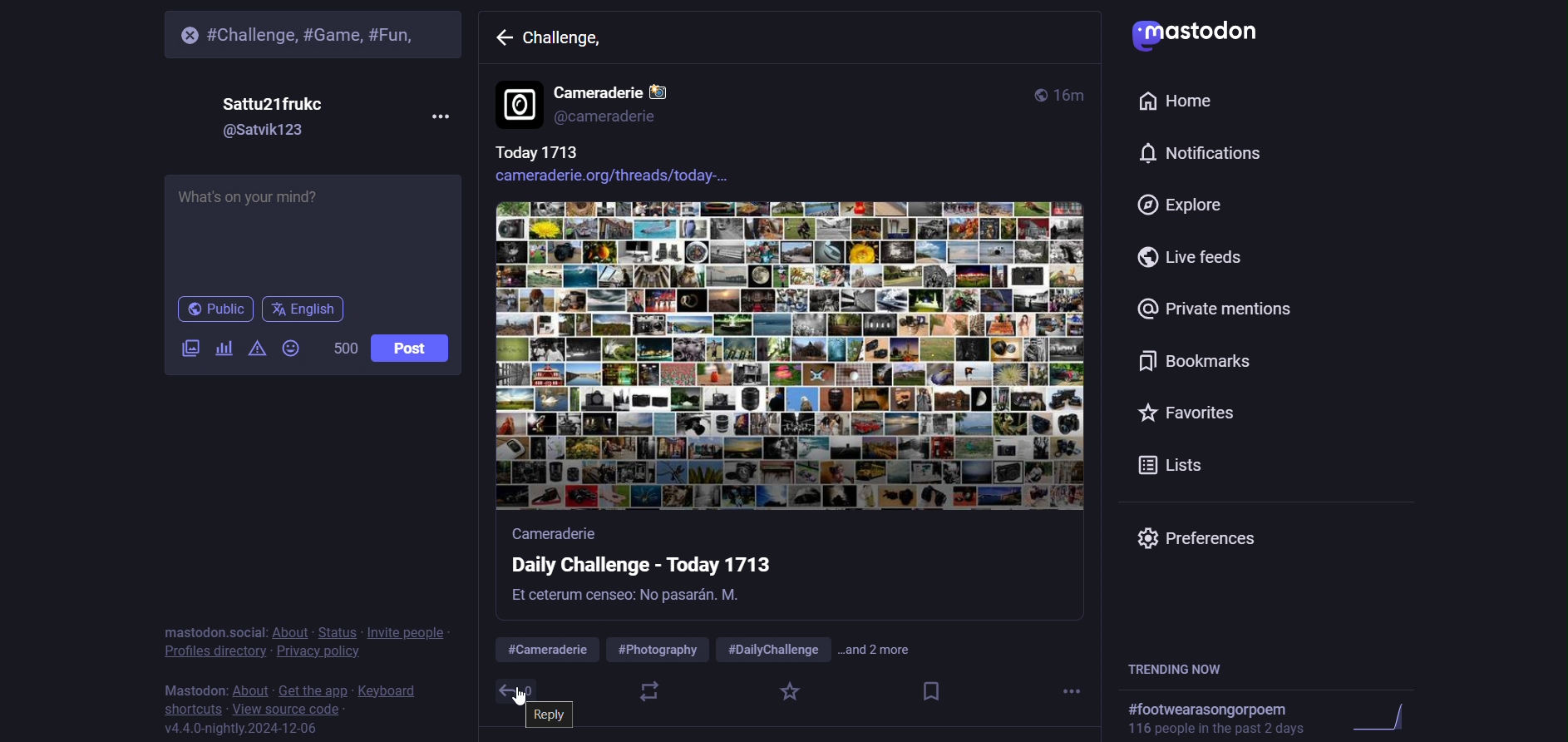  I want to click on 16m, so click(1073, 96).